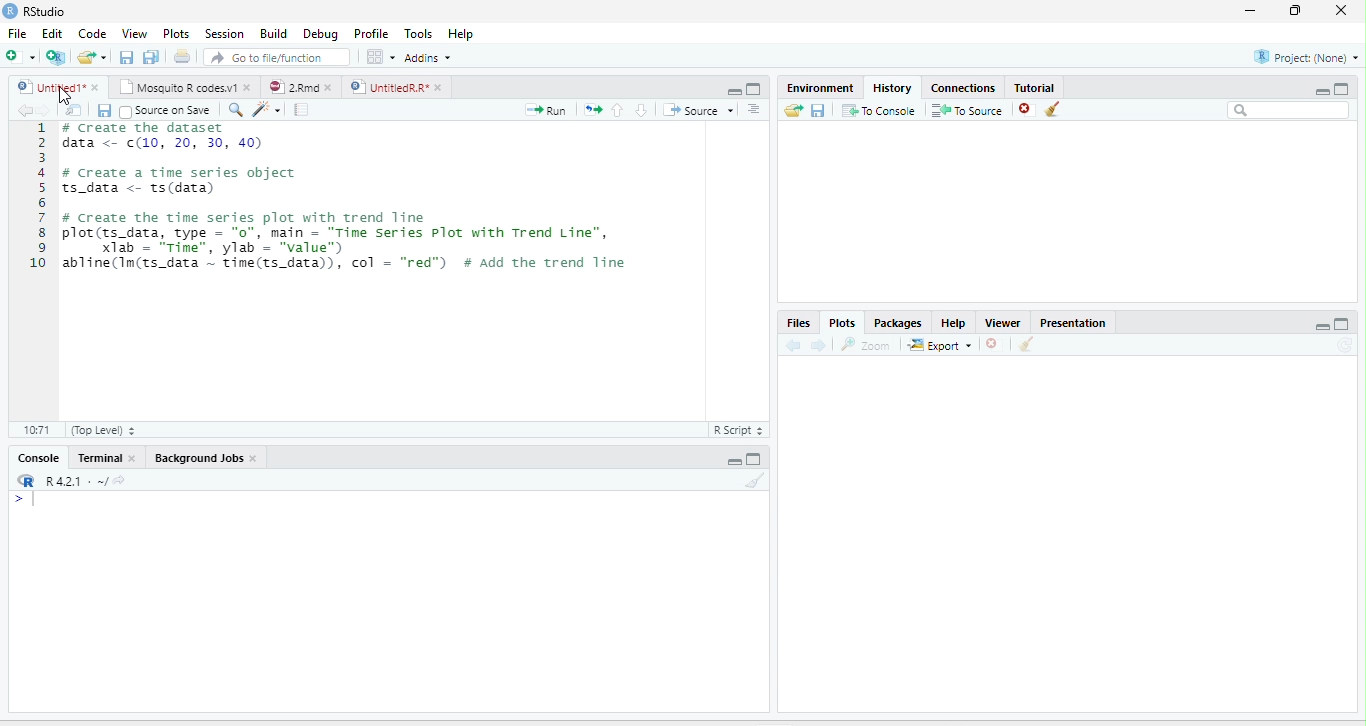 The image size is (1366, 726). I want to click on R 4.2.1 . ~/, so click(76, 479).